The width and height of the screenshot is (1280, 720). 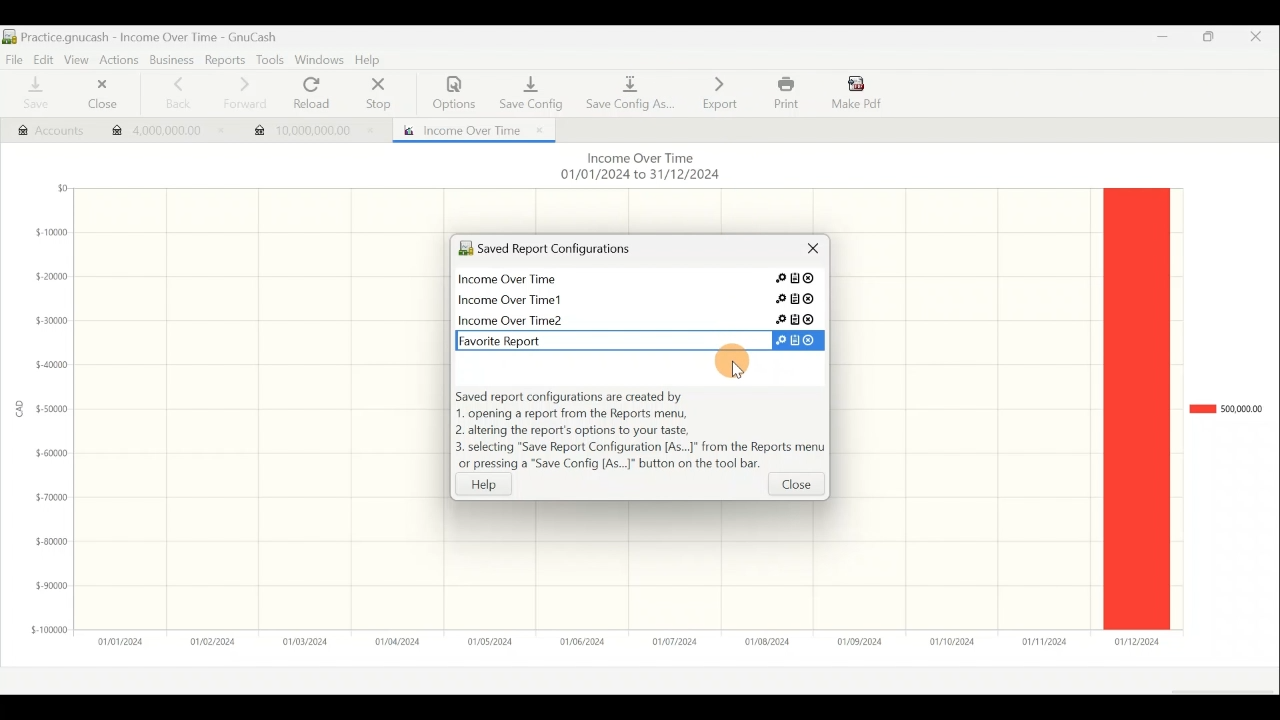 I want to click on Options, so click(x=455, y=93).